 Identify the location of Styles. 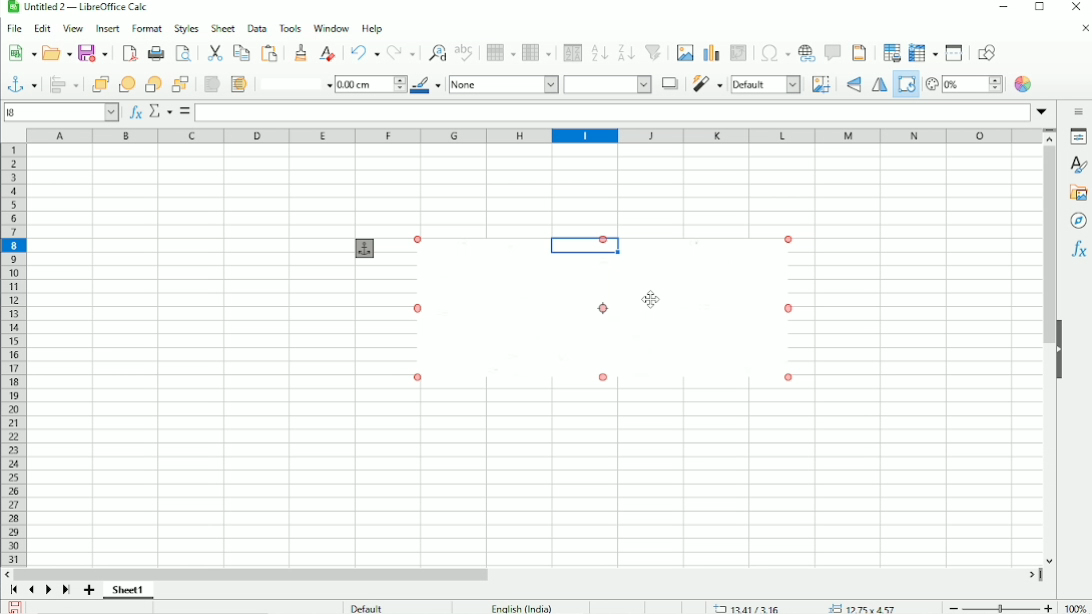
(185, 28).